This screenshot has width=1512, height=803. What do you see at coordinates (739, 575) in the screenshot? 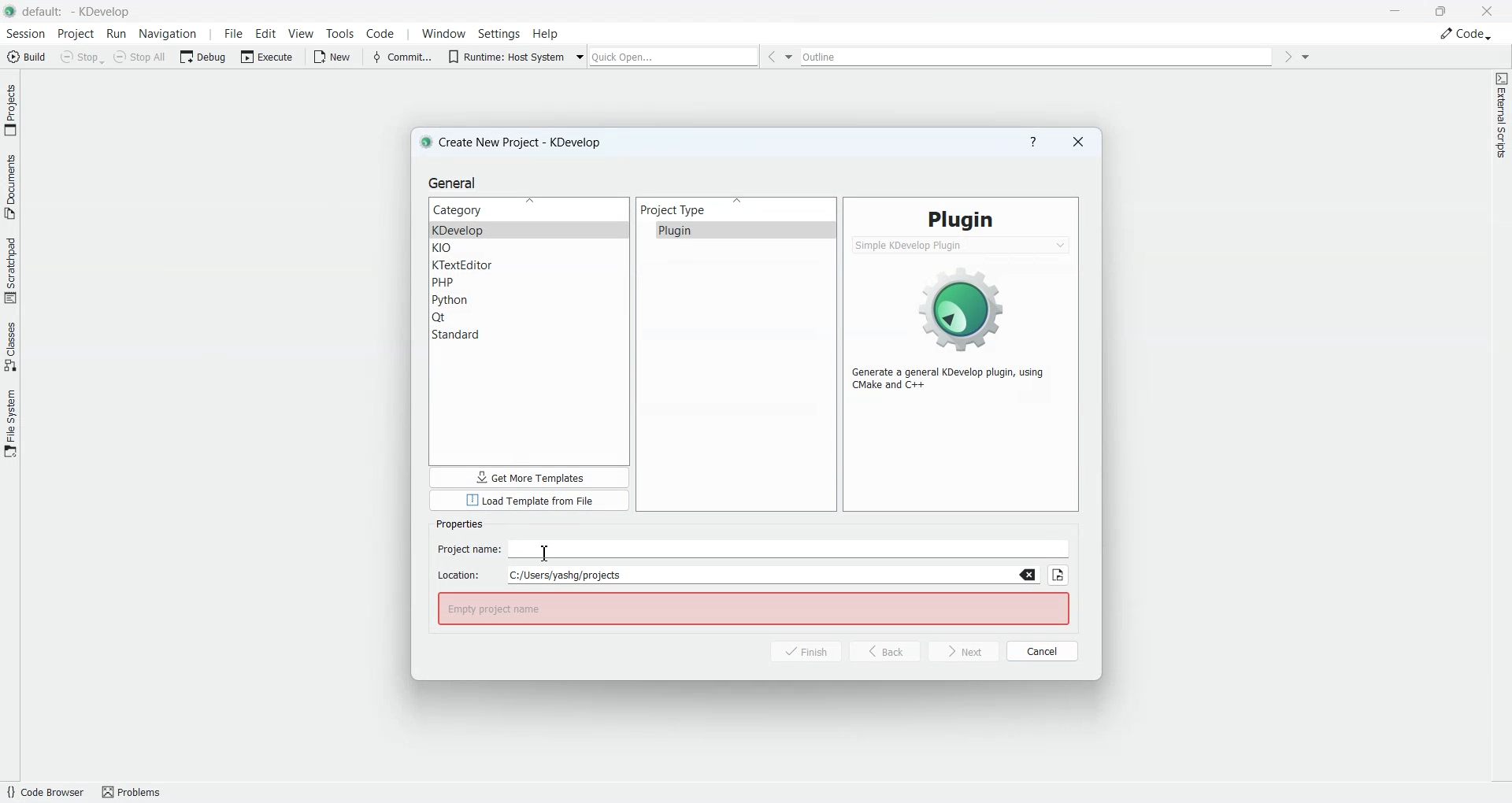
I see `File Path address` at bounding box center [739, 575].